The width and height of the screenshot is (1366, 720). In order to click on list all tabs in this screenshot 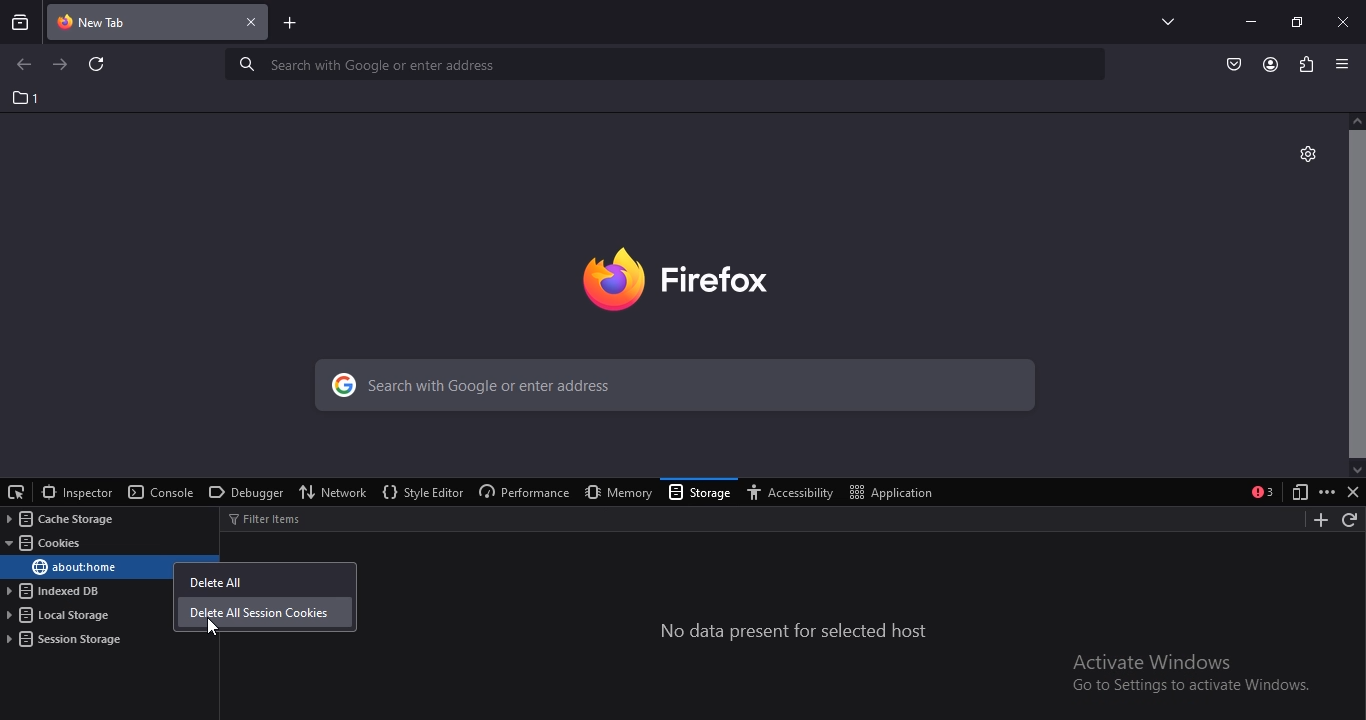, I will do `click(1163, 21)`.